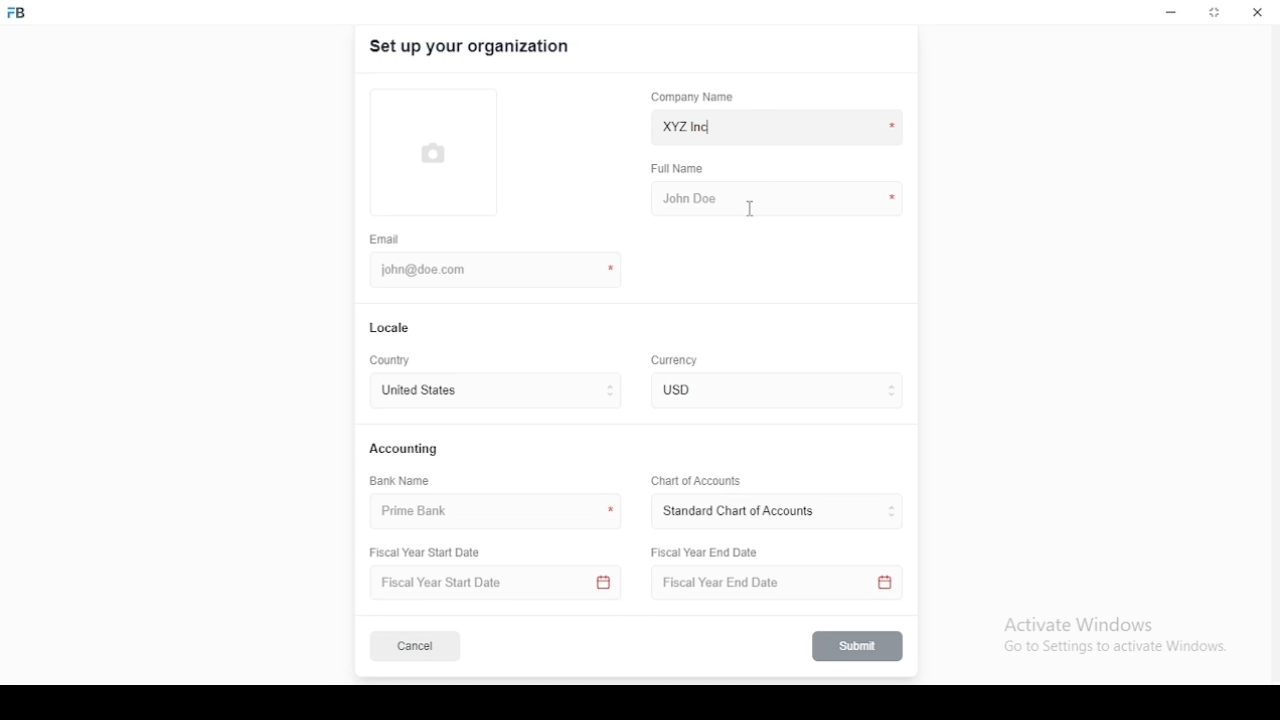 This screenshot has width=1280, height=720. Describe the element at coordinates (706, 552) in the screenshot. I see `Fiscal Year End Date` at that location.